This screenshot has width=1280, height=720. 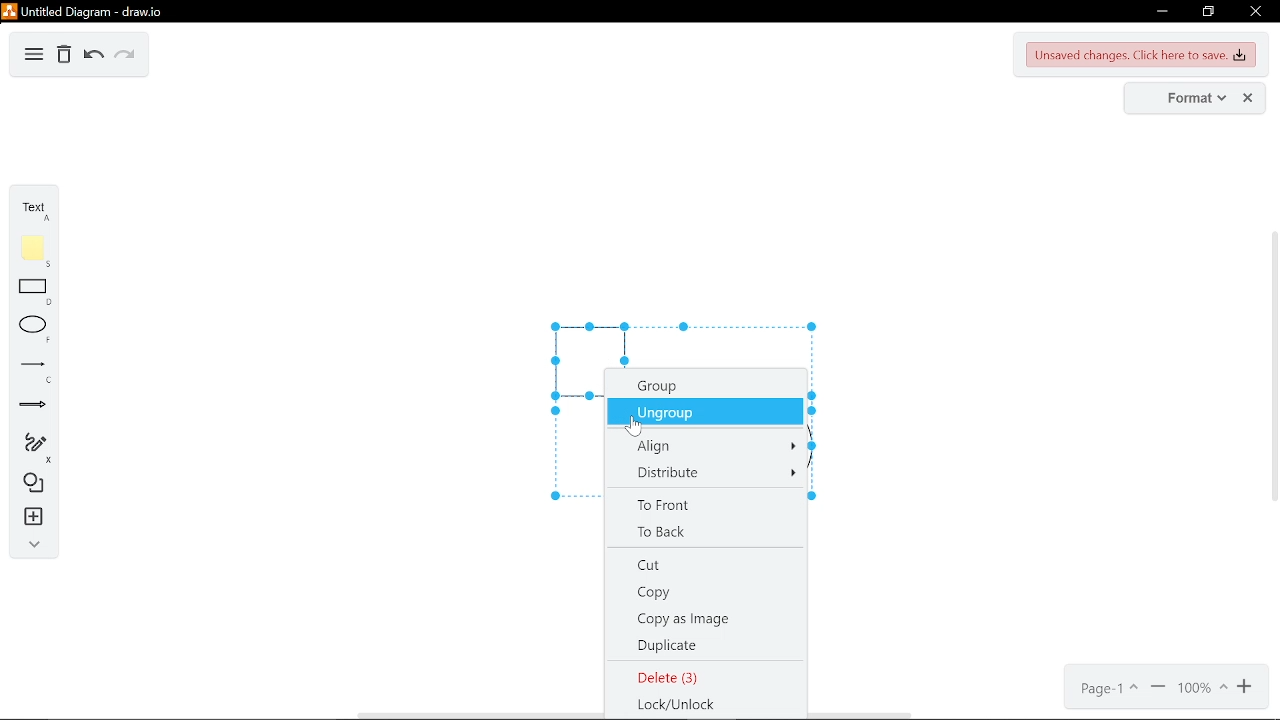 What do you see at coordinates (27, 408) in the screenshot?
I see `arrow` at bounding box center [27, 408].